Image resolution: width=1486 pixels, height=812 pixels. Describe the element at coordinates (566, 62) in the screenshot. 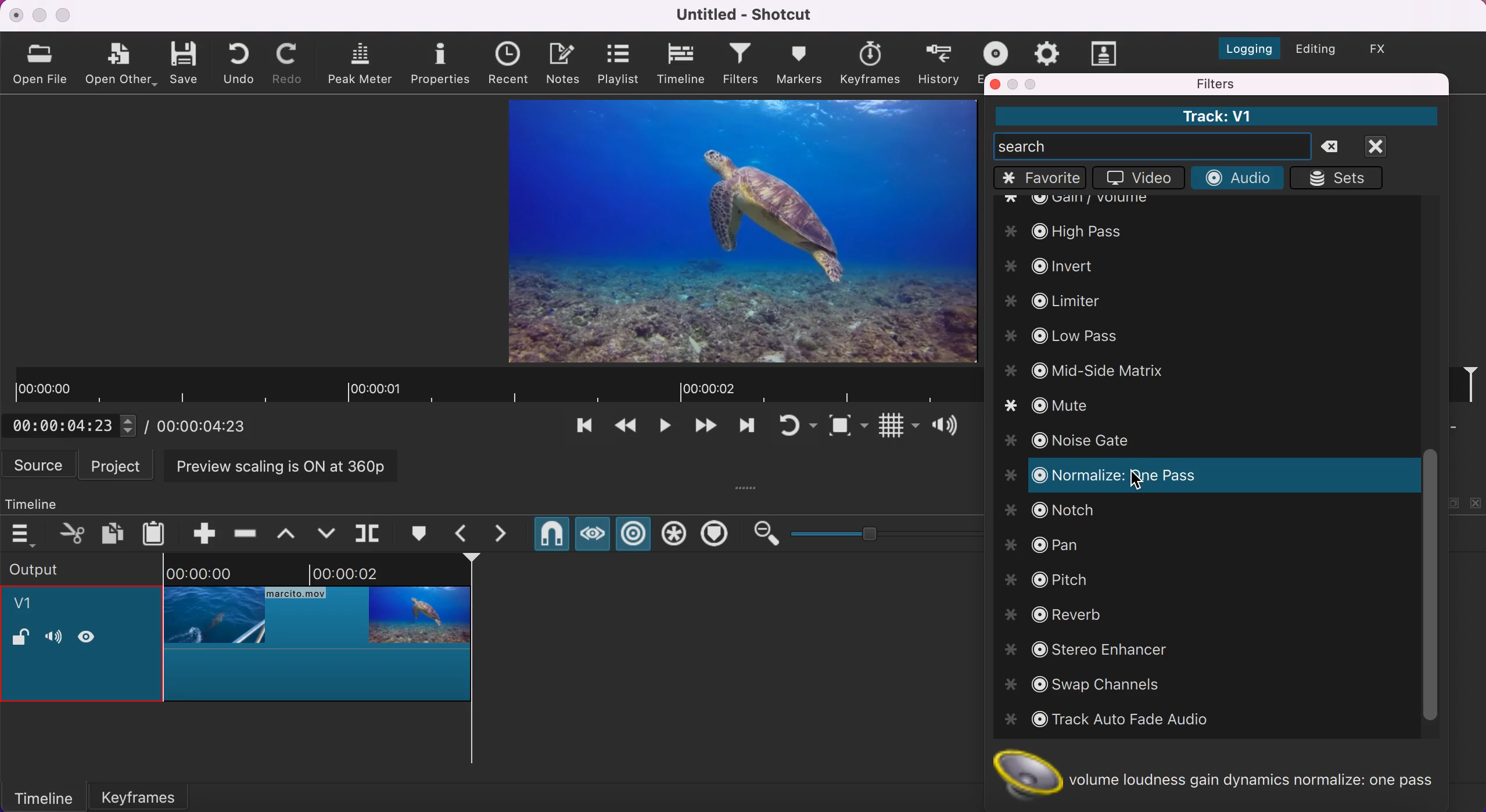

I see `notes` at that location.